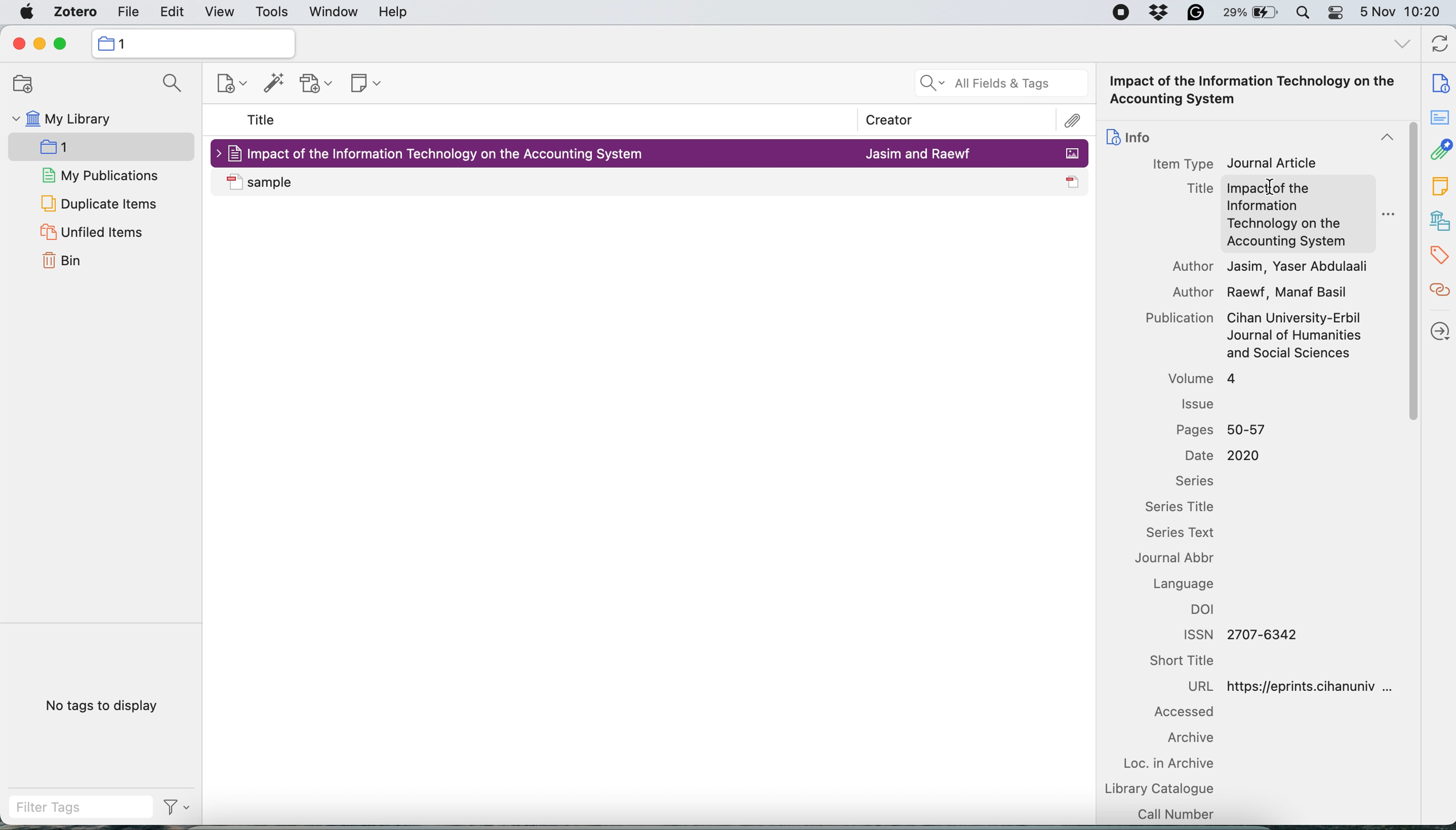  I want to click on sample, so click(448, 181).